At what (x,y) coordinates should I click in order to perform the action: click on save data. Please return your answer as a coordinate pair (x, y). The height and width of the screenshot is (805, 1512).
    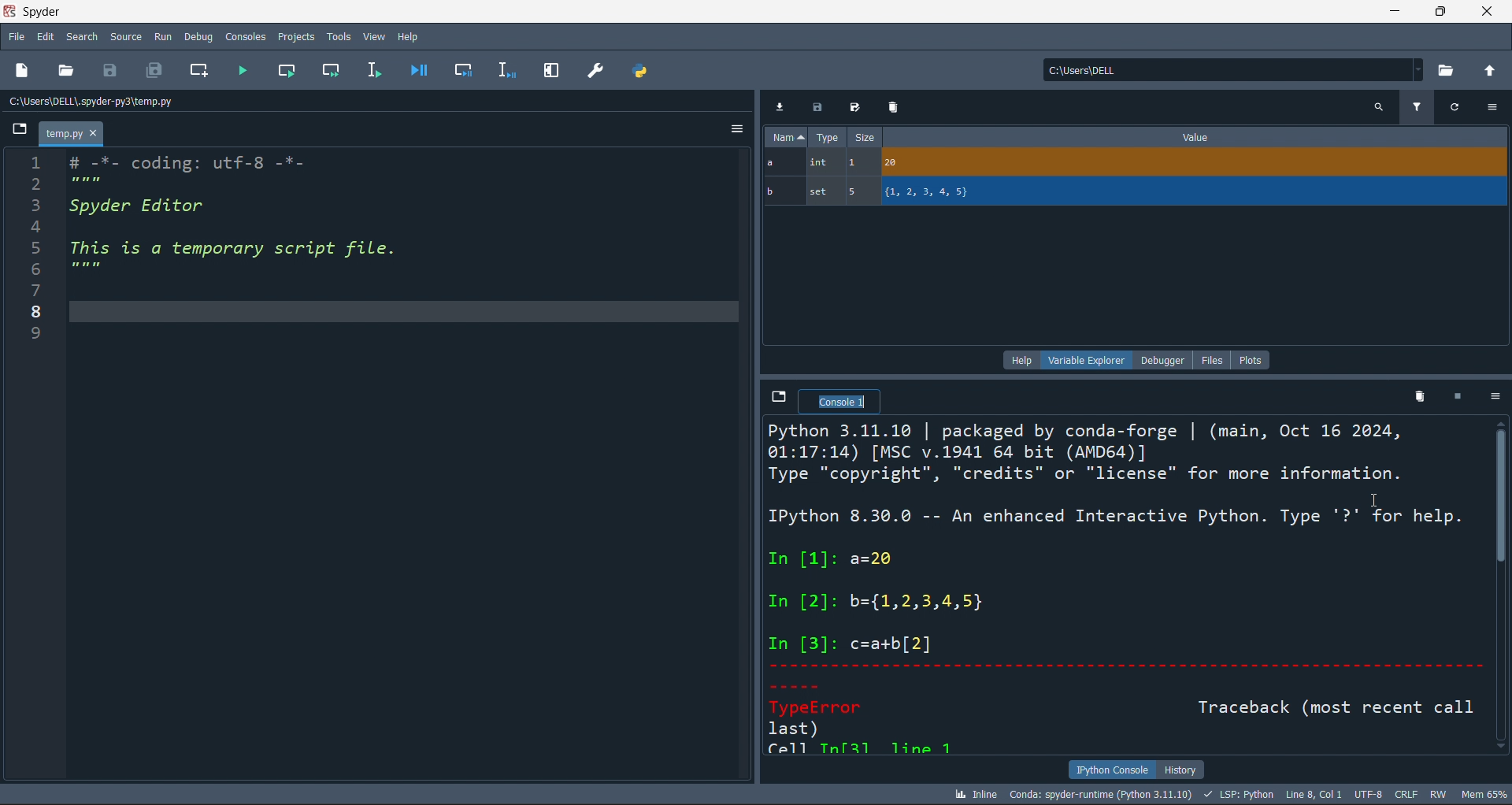
    Looking at the image, I should click on (815, 108).